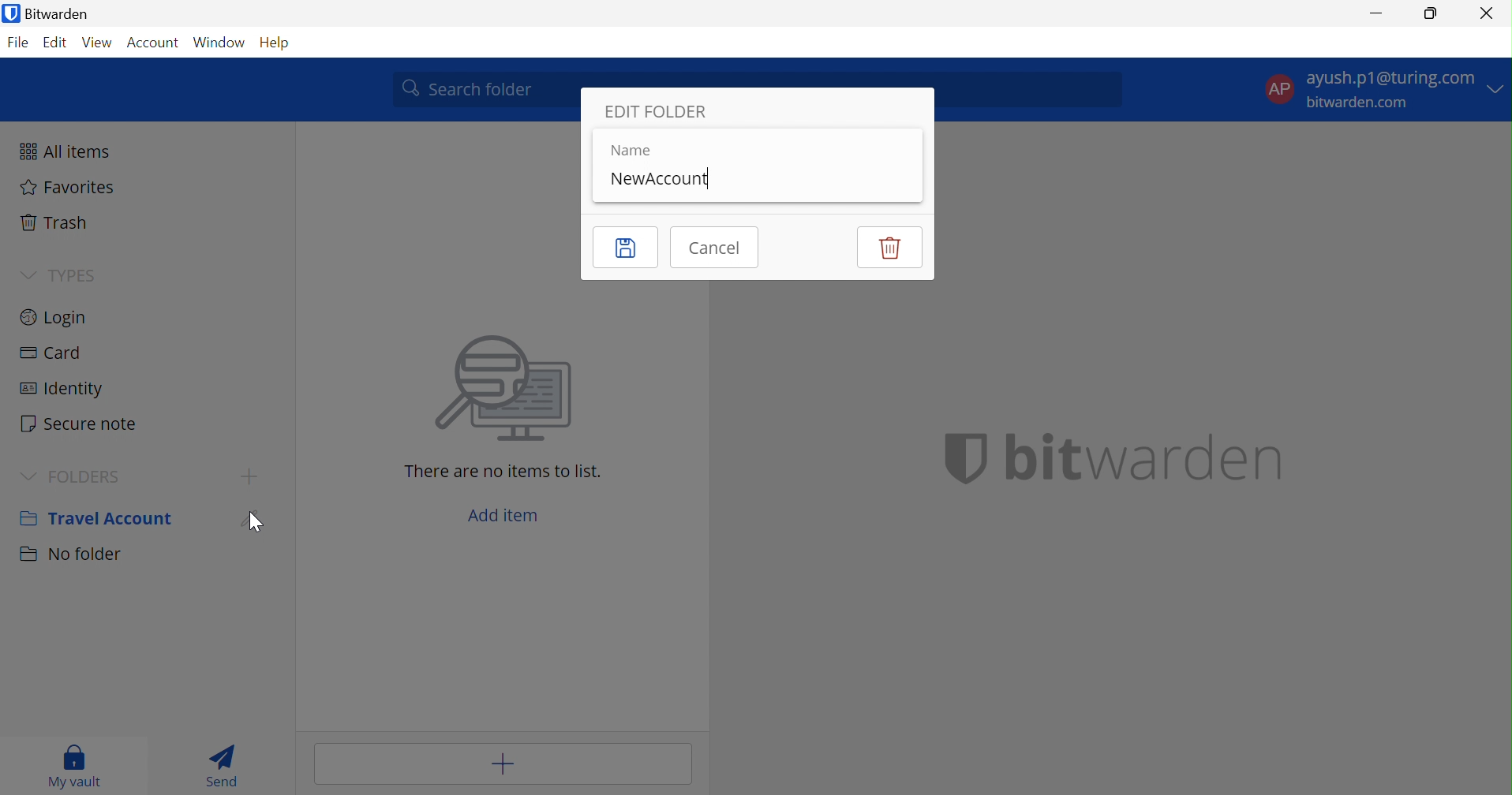 This screenshot has height=795, width=1512. Describe the element at coordinates (65, 388) in the screenshot. I see `Identity` at that location.